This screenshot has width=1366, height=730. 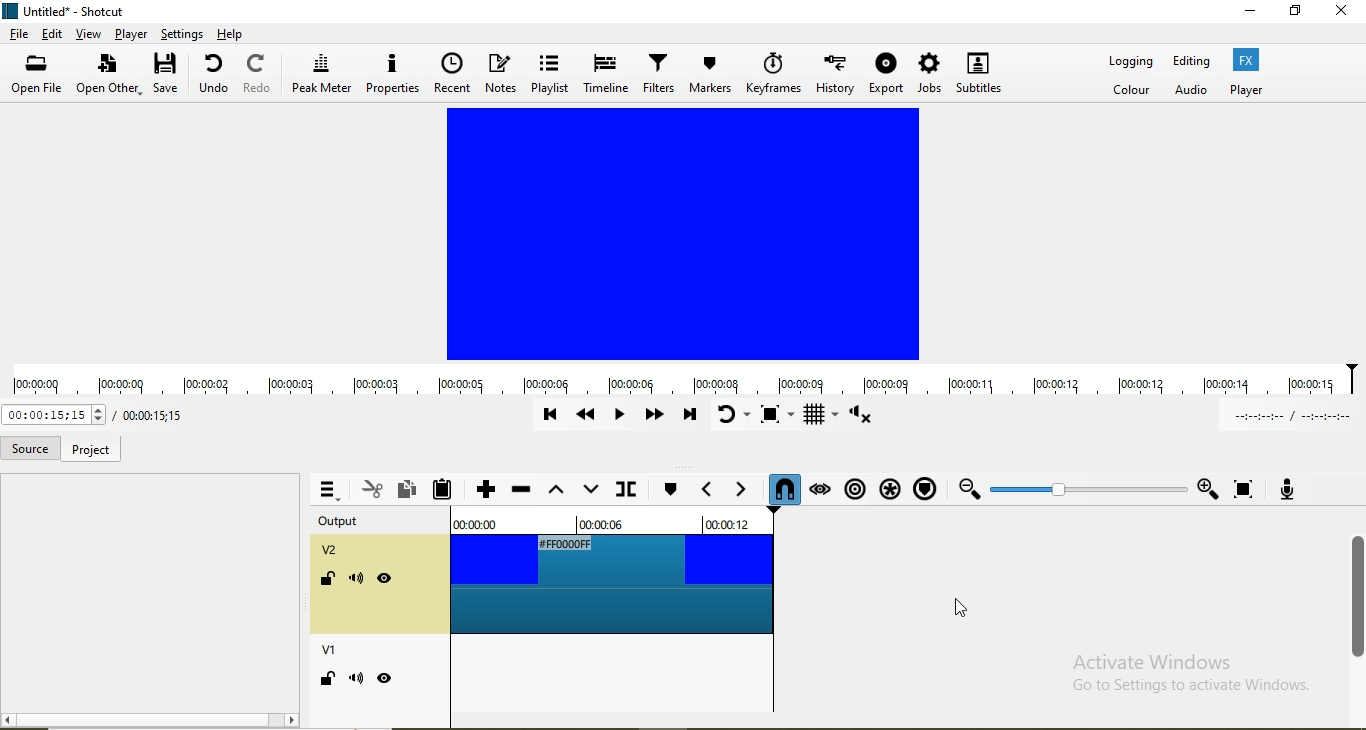 What do you see at coordinates (371, 488) in the screenshot?
I see `Cut` at bounding box center [371, 488].